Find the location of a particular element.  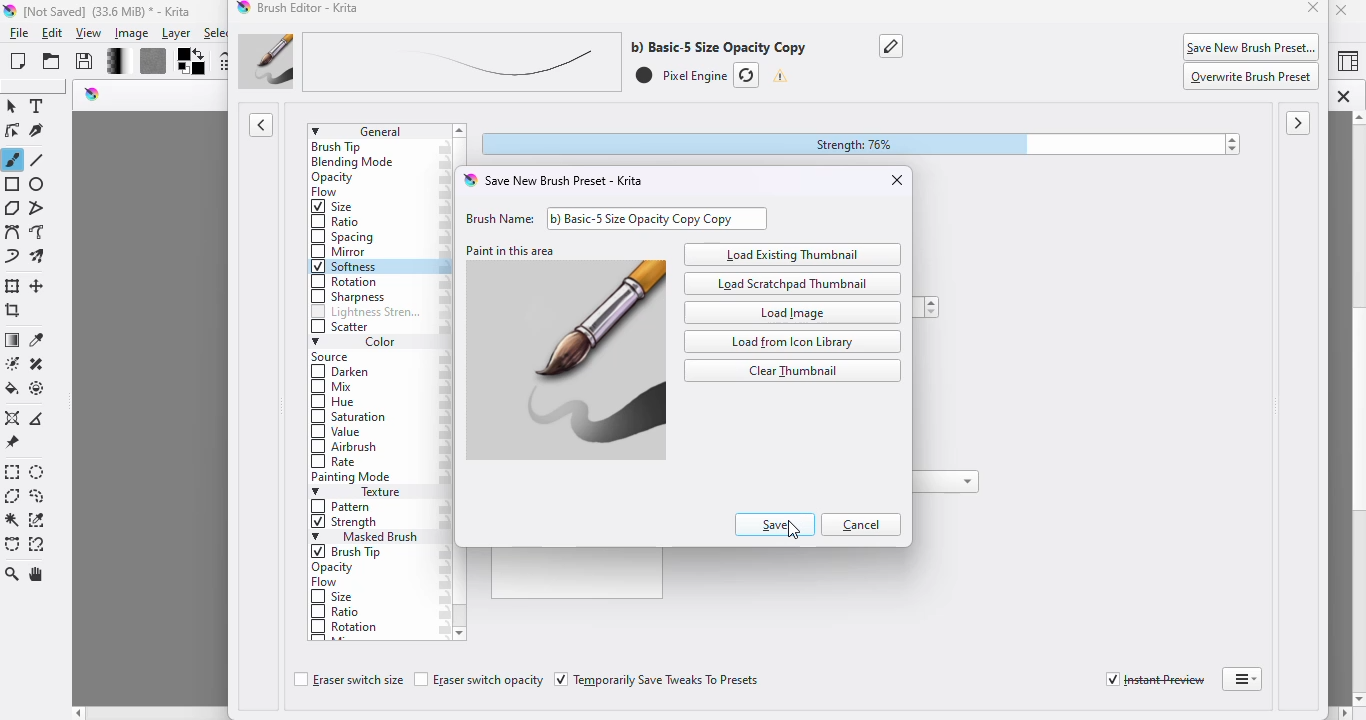

logo is located at coordinates (468, 180).